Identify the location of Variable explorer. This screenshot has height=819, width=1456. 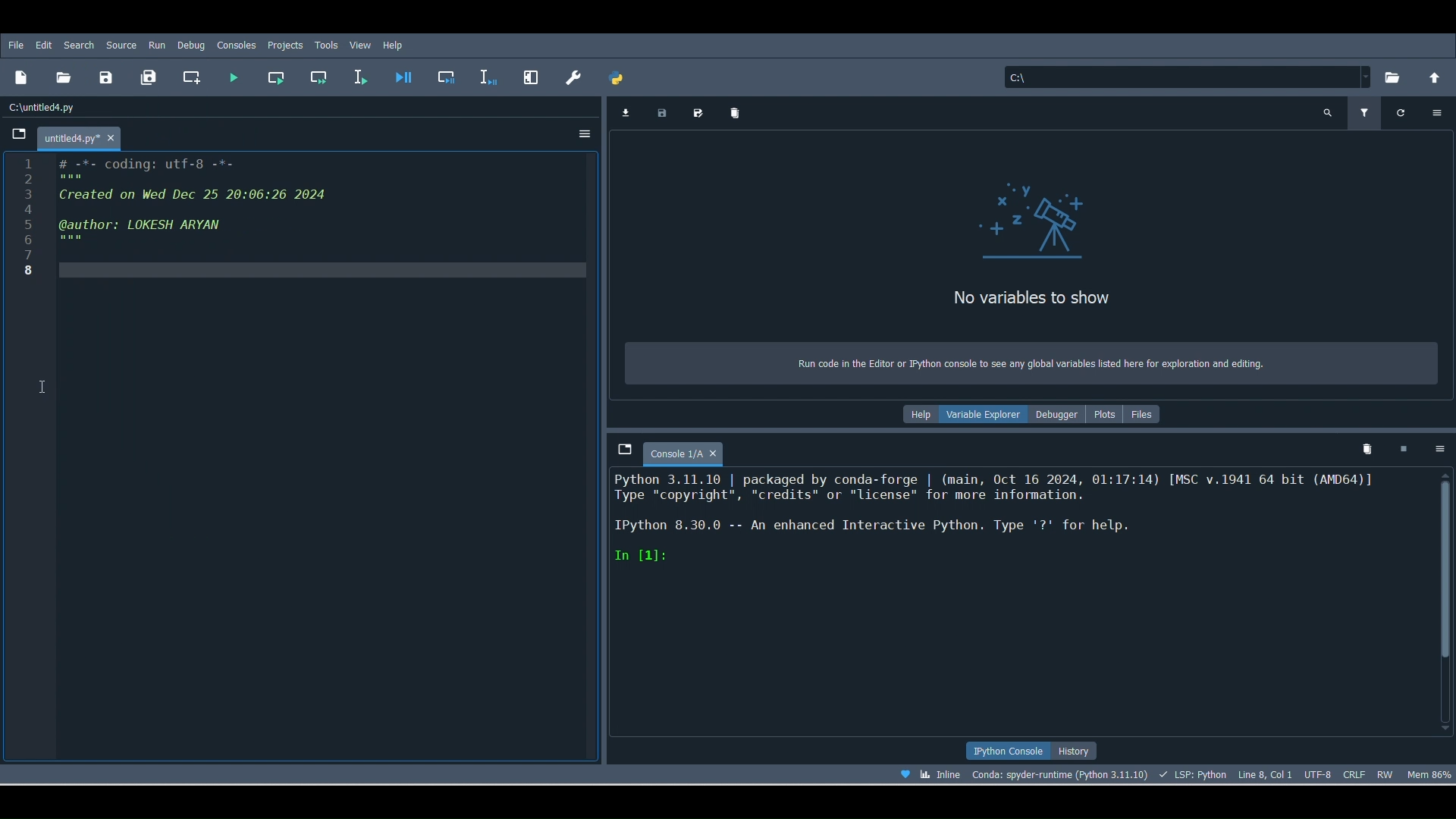
(984, 417).